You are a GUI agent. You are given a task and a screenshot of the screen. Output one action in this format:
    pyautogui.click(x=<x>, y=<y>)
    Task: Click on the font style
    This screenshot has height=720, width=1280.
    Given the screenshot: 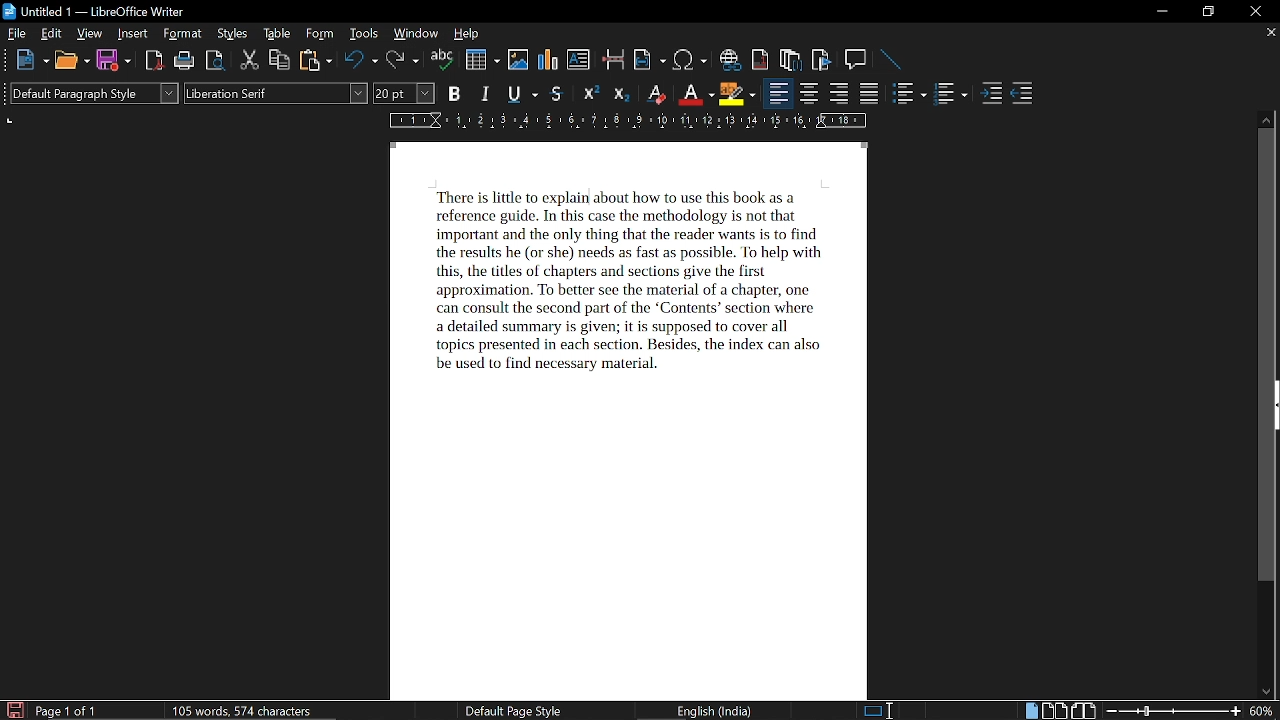 What is the action you would take?
    pyautogui.click(x=275, y=94)
    